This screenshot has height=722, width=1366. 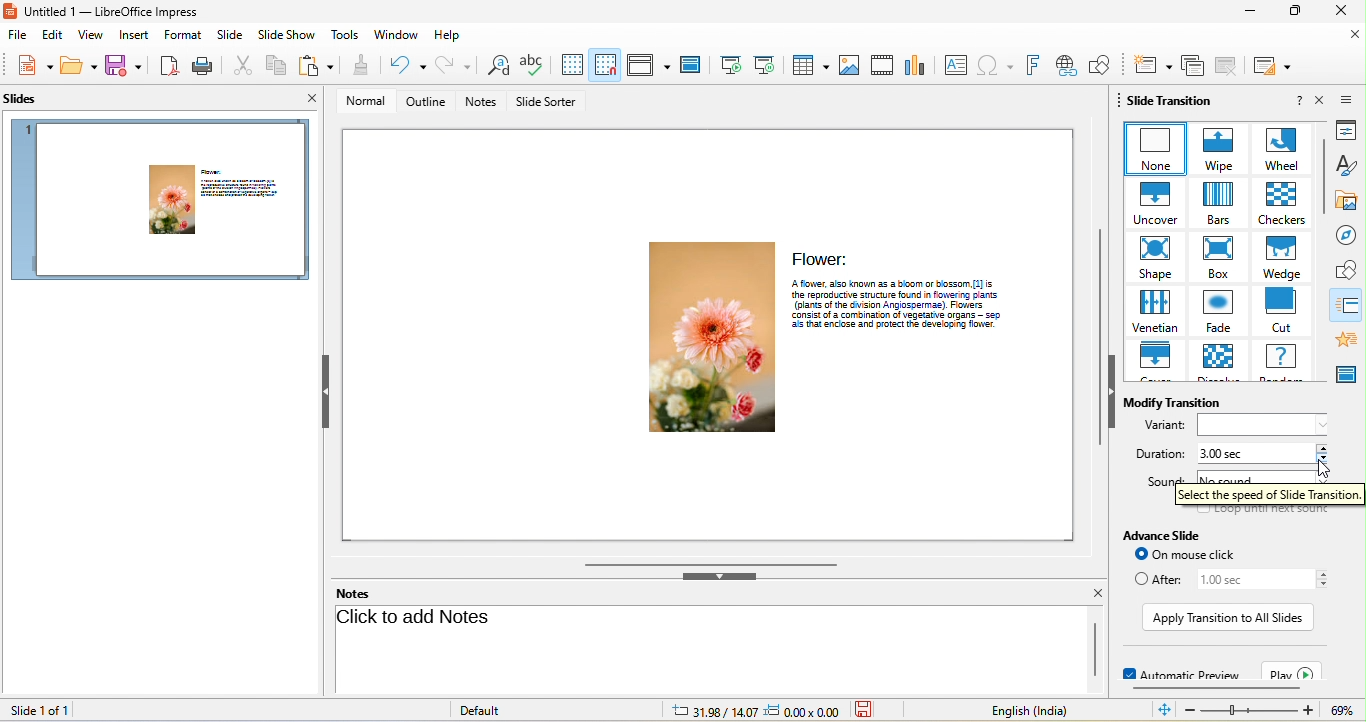 I want to click on save, so click(x=79, y=68).